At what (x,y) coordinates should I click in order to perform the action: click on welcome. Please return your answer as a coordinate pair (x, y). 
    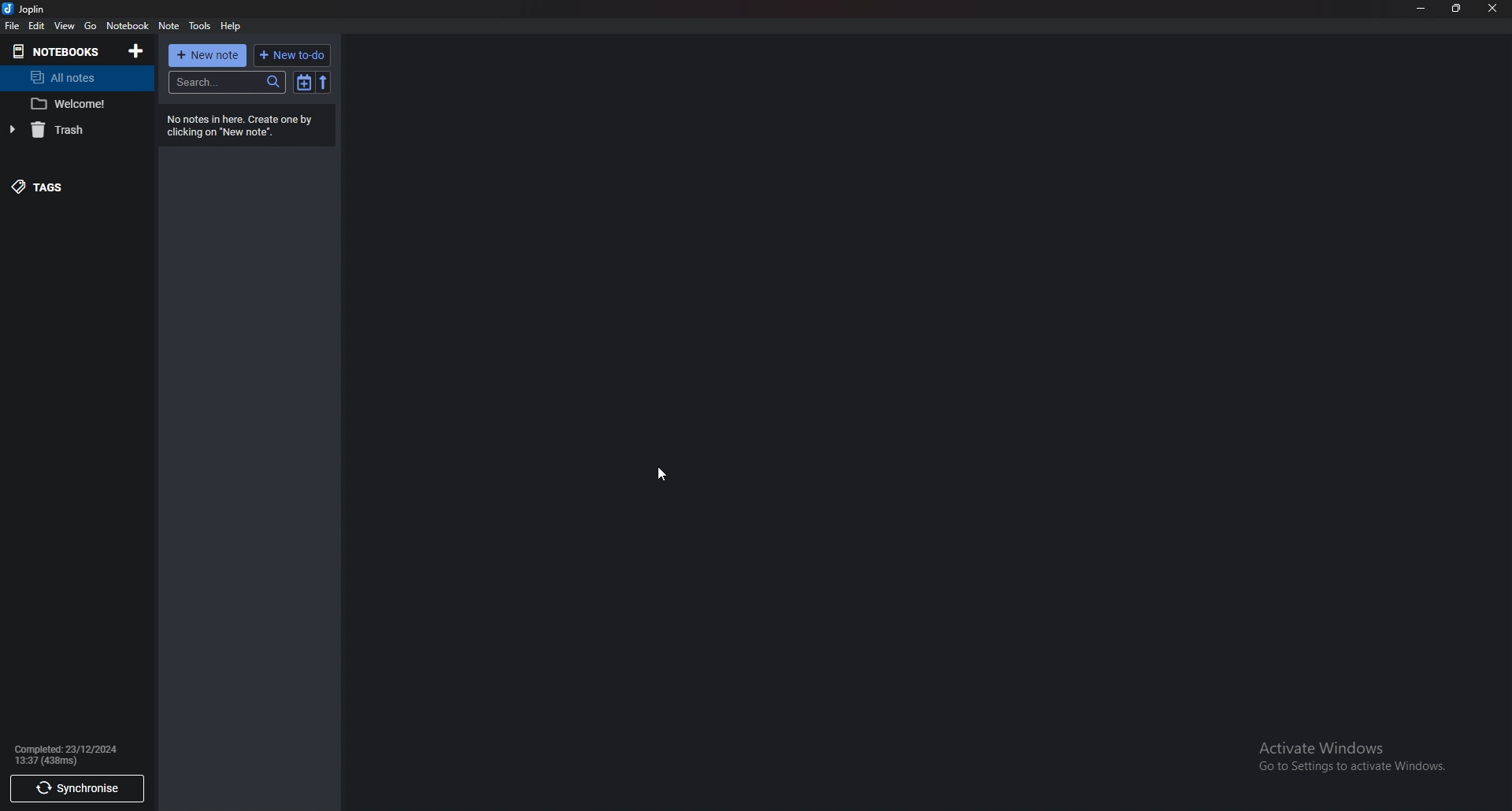
    Looking at the image, I should click on (75, 103).